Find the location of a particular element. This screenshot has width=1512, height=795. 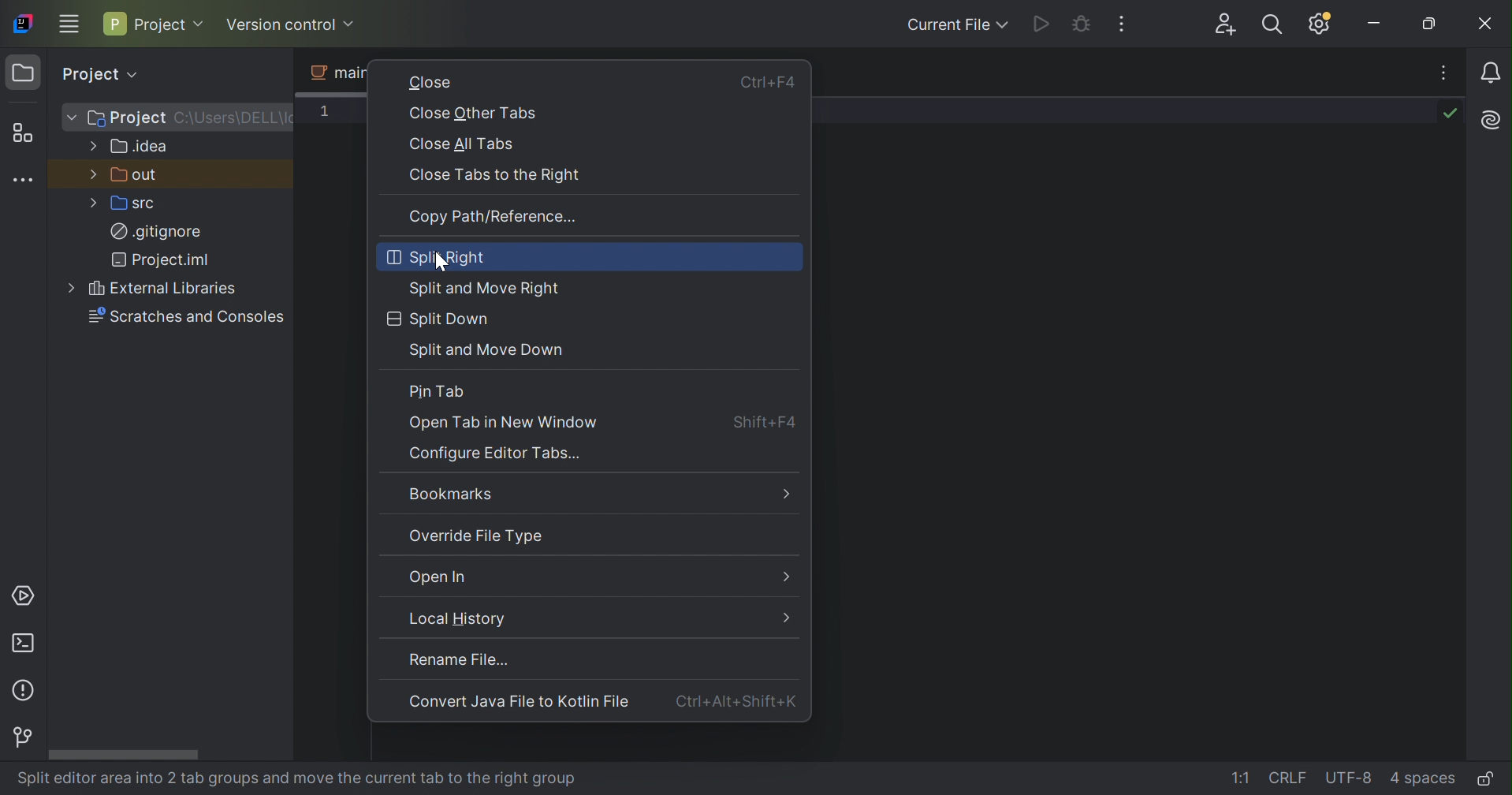

out is located at coordinates (137, 175).